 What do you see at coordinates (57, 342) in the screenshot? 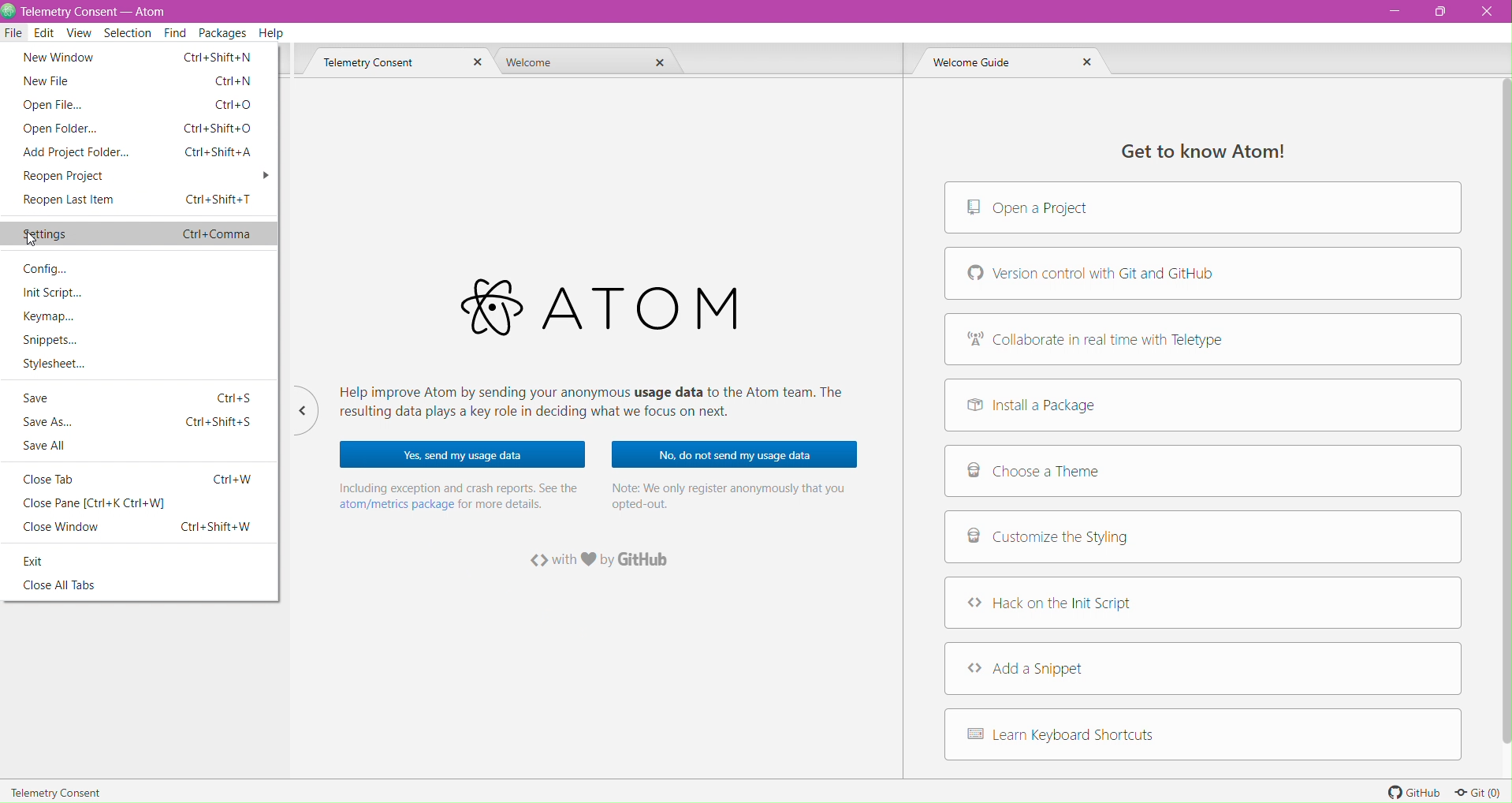
I see `Snippets` at bounding box center [57, 342].